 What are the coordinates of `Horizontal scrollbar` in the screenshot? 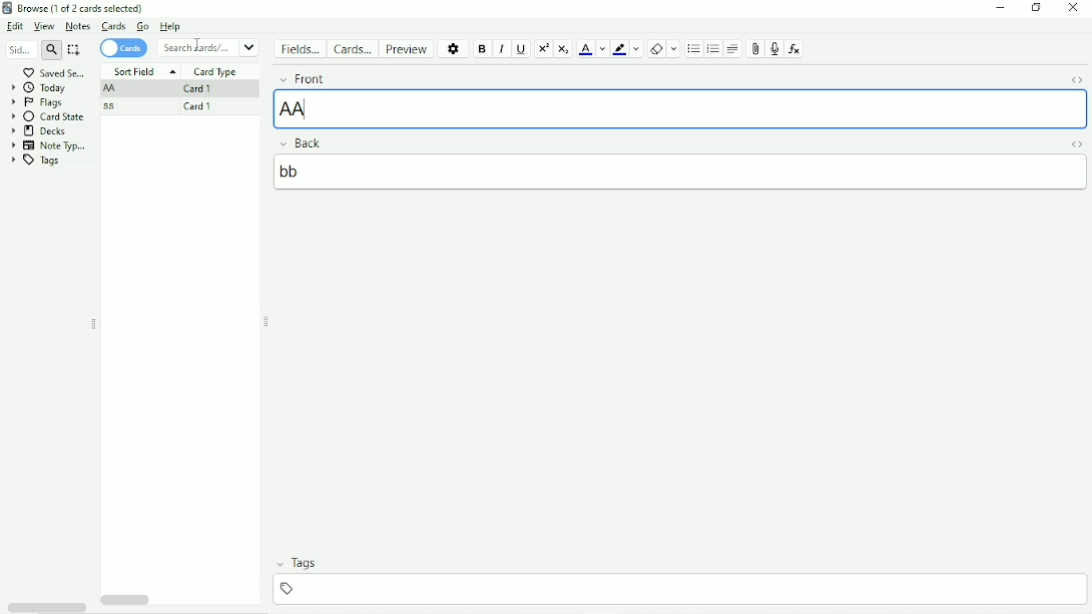 It's located at (128, 598).